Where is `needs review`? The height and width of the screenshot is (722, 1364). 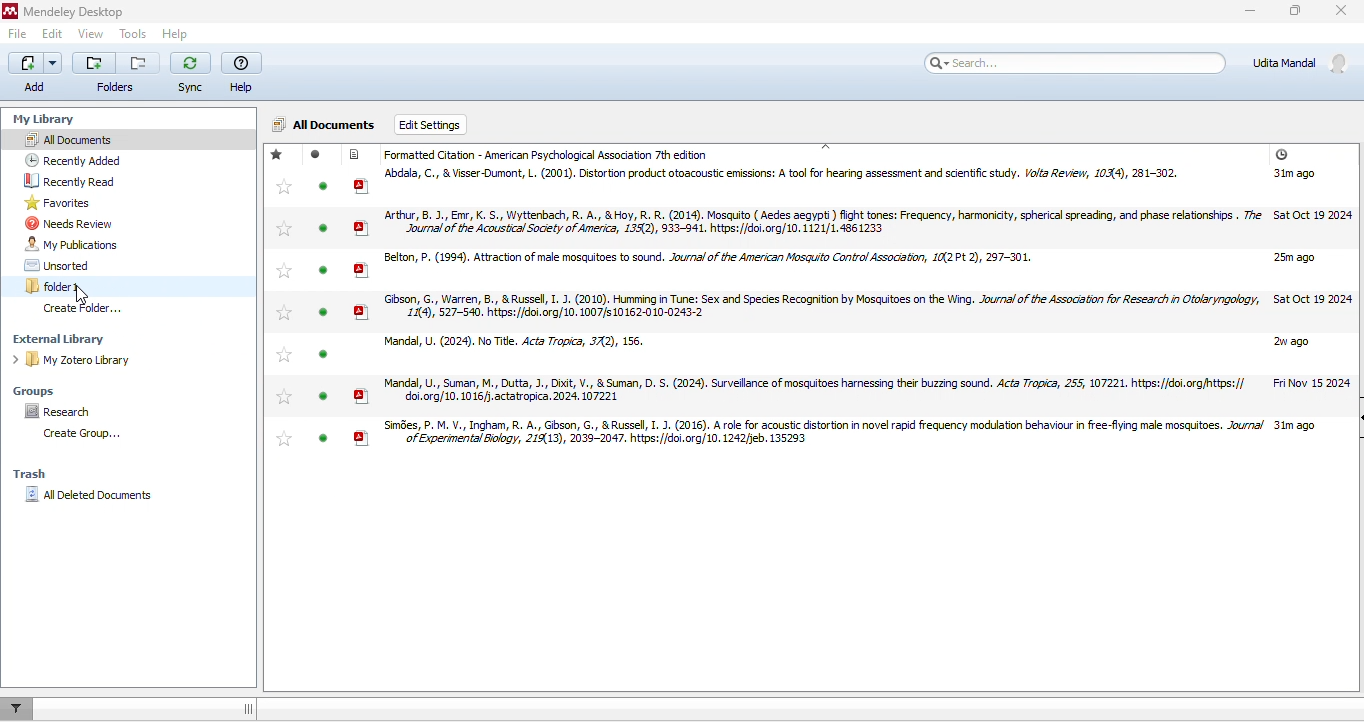
needs review is located at coordinates (70, 225).